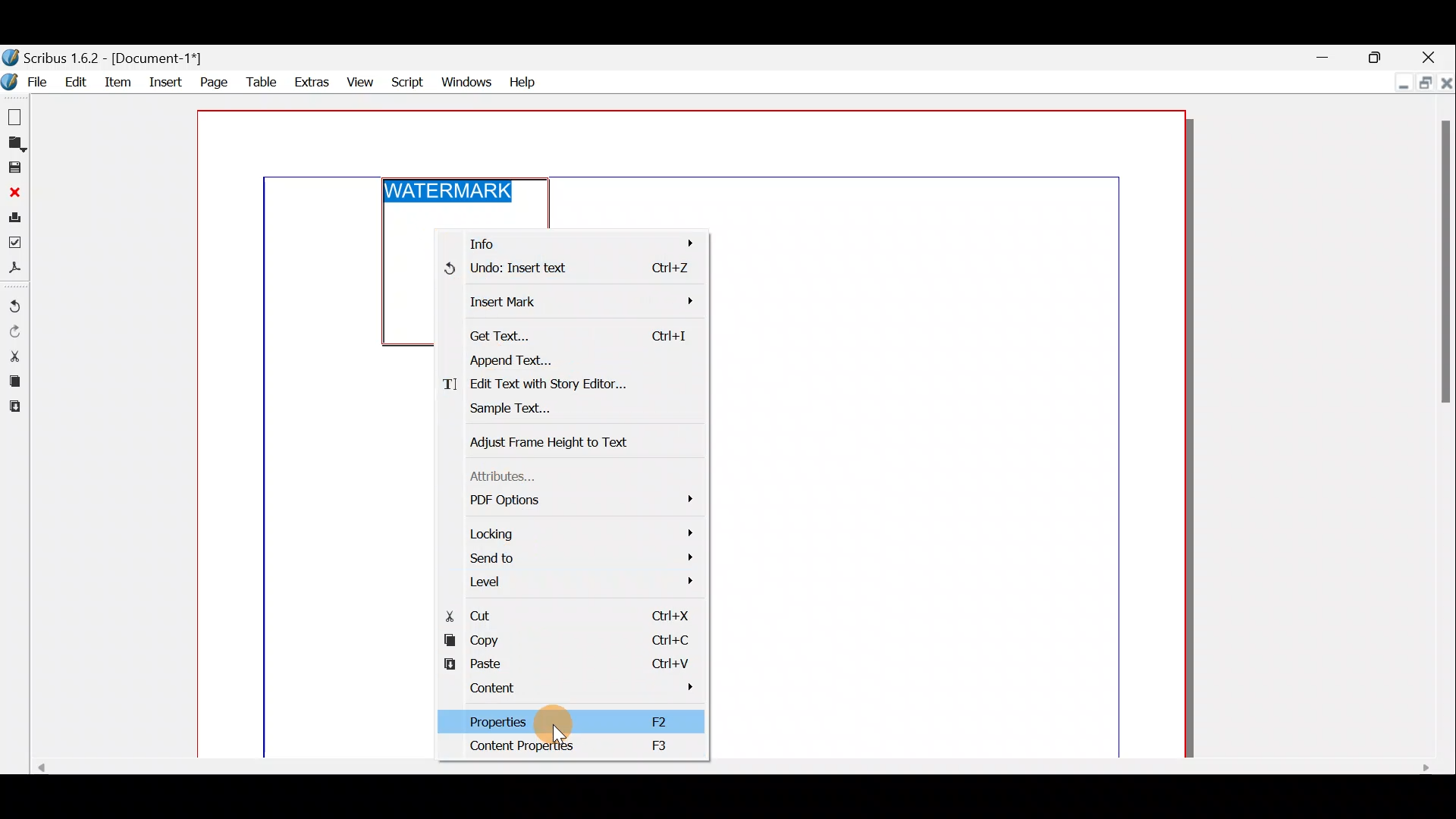  Describe the element at coordinates (14, 220) in the screenshot. I see `Print` at that location.